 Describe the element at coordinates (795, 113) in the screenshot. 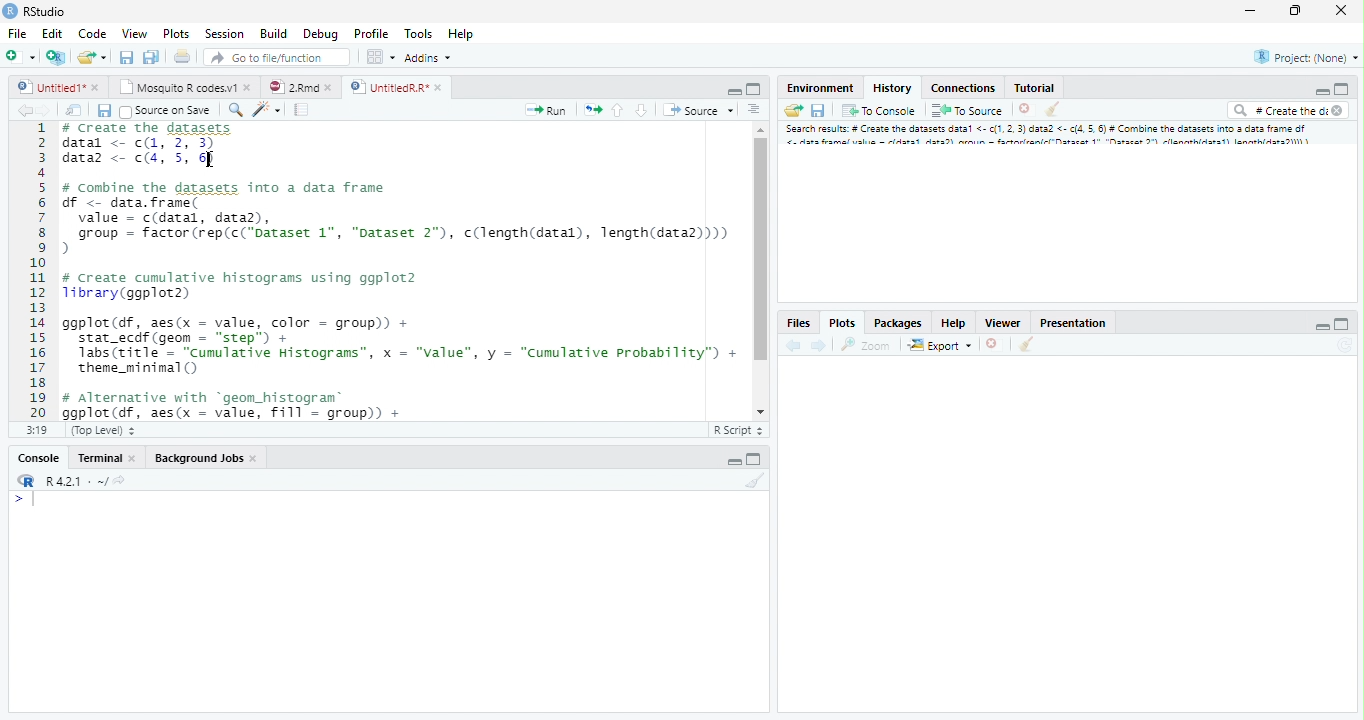

I see `Load Workspace` at that location.